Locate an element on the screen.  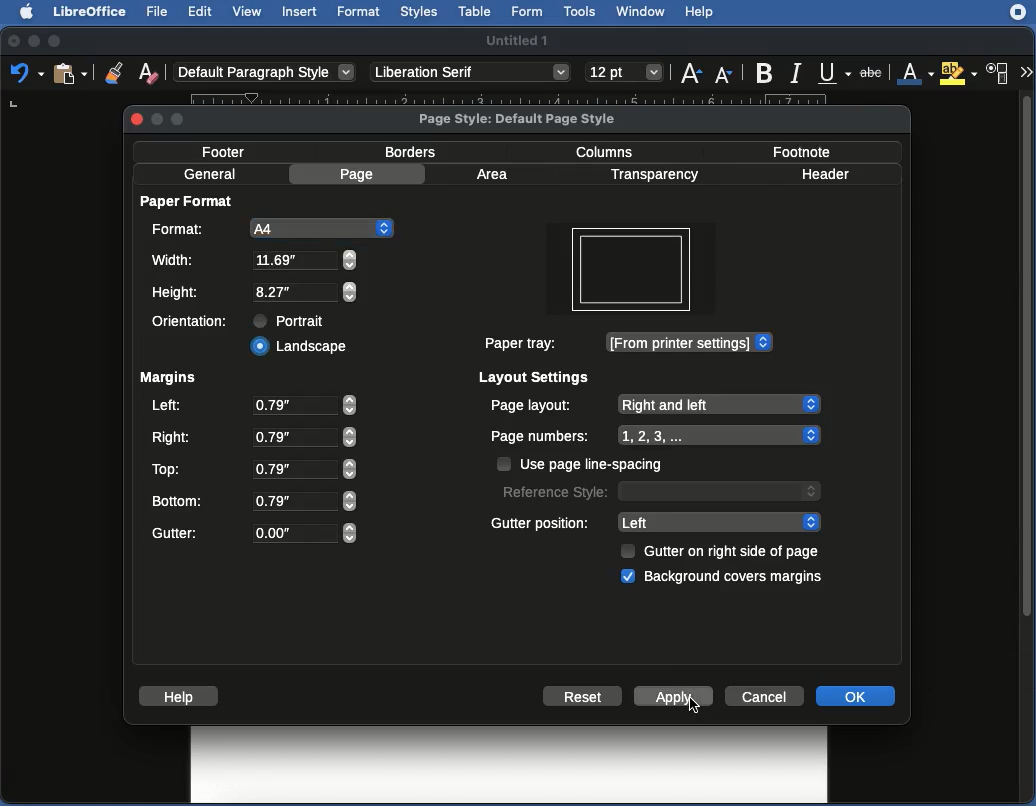
Format is located at coordinates (361, 13).